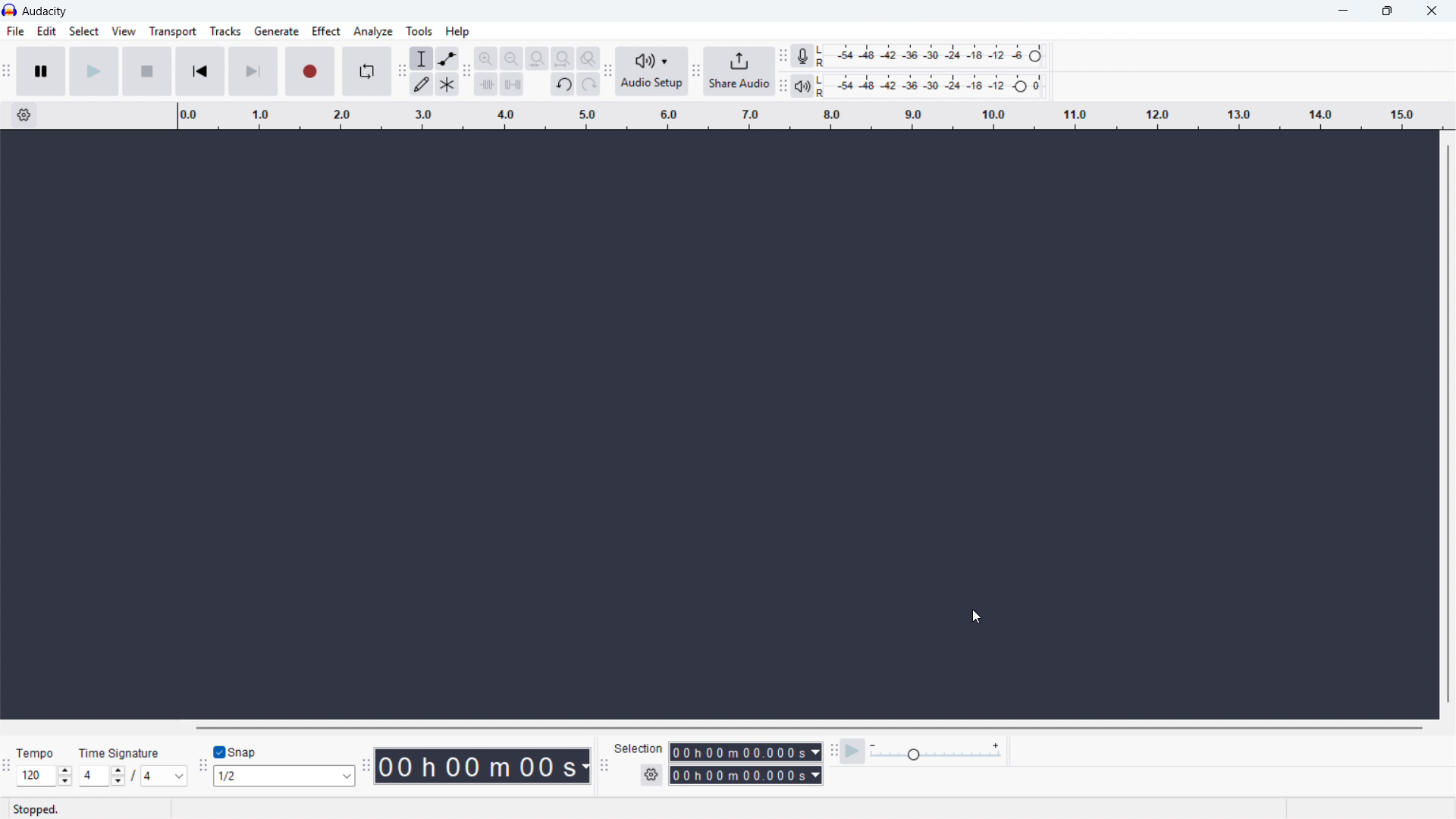 This screenshot has height=819, width=1456. Describe the element at coordinates (563, 85) in the screenshot. I see `undo` at that location.